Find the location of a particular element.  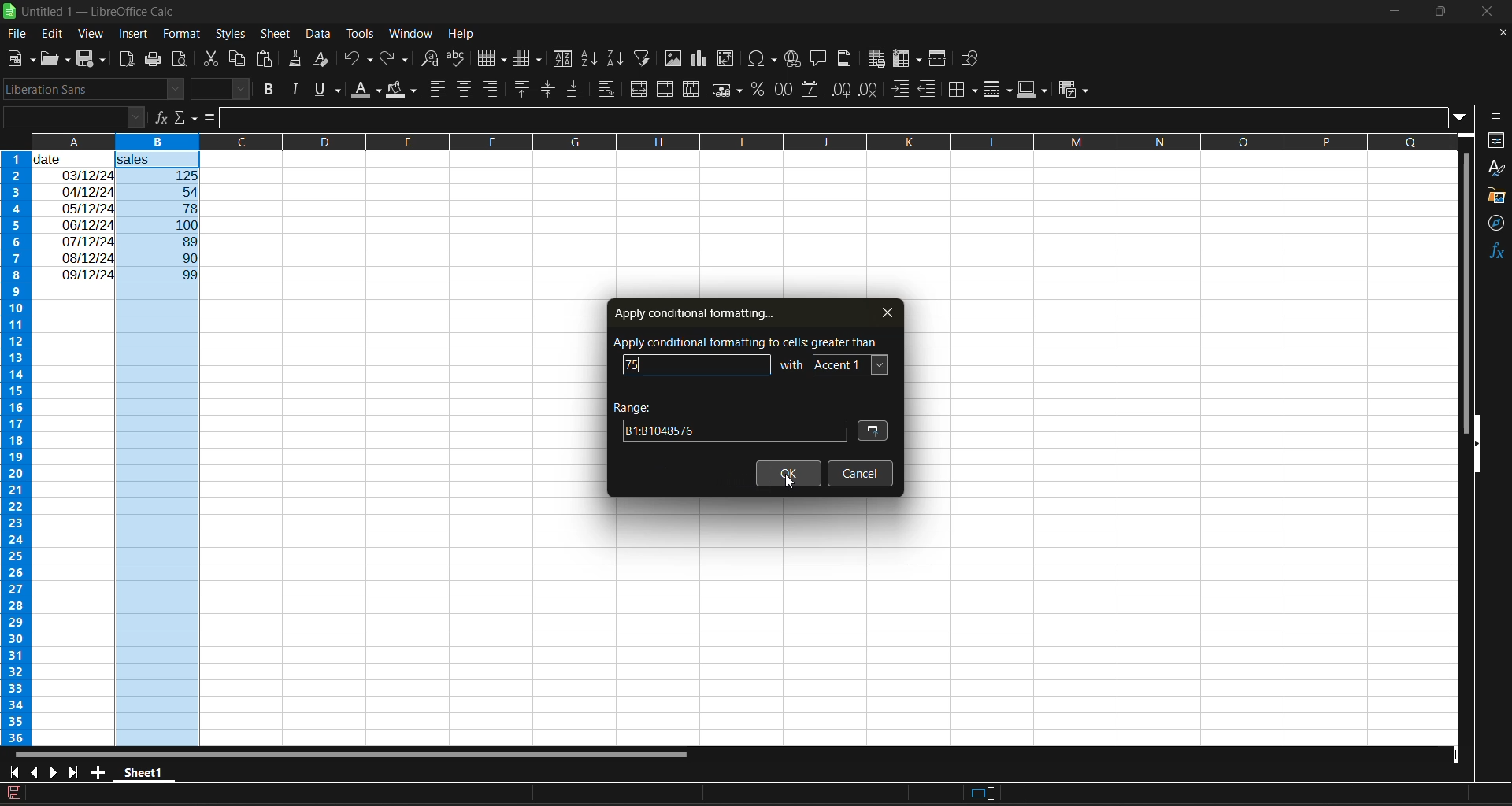

conditional is located at coordinates (1071, 91).